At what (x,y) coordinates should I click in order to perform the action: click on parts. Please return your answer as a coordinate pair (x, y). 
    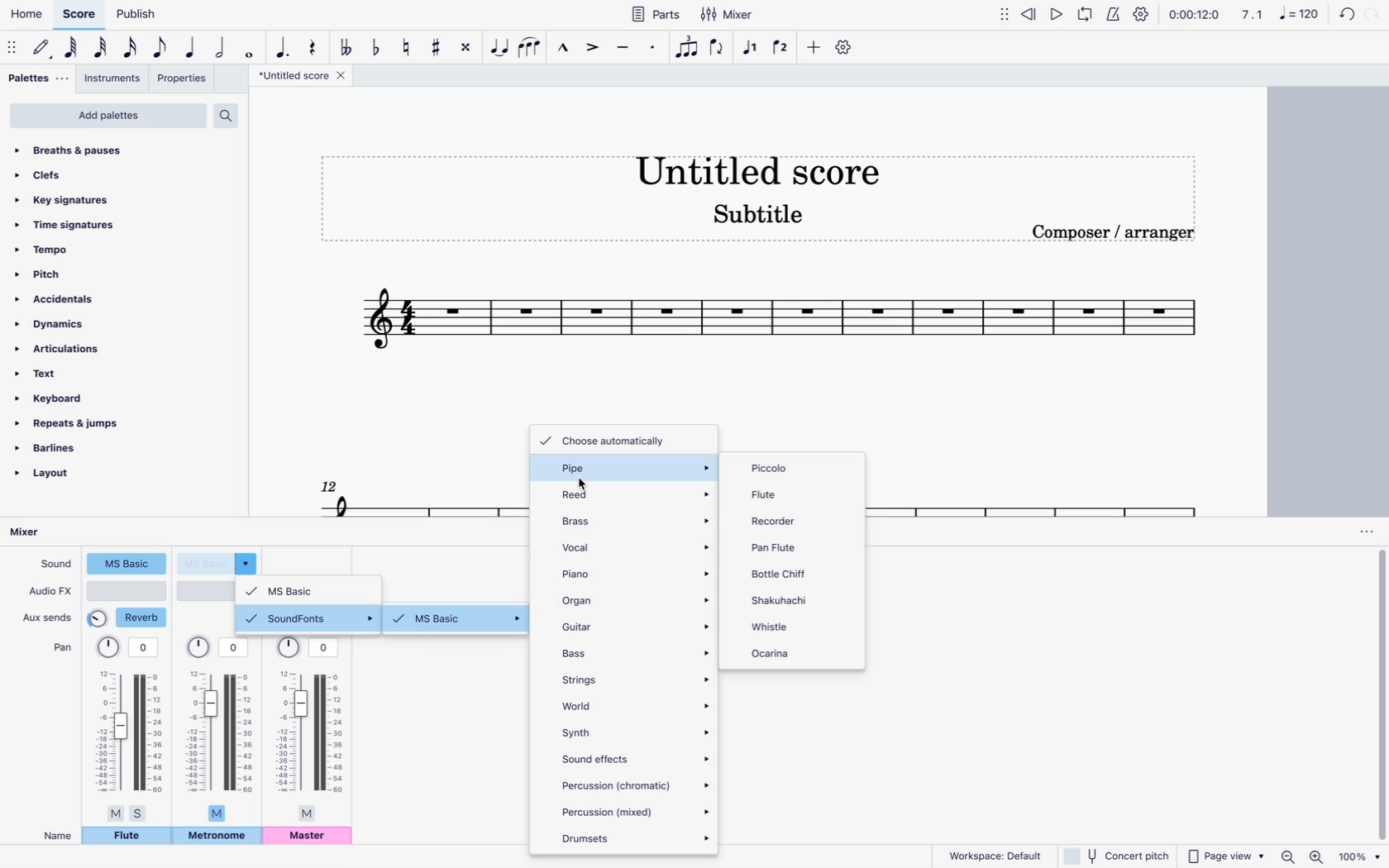
    Looking at the image, I should click on (657, 14).